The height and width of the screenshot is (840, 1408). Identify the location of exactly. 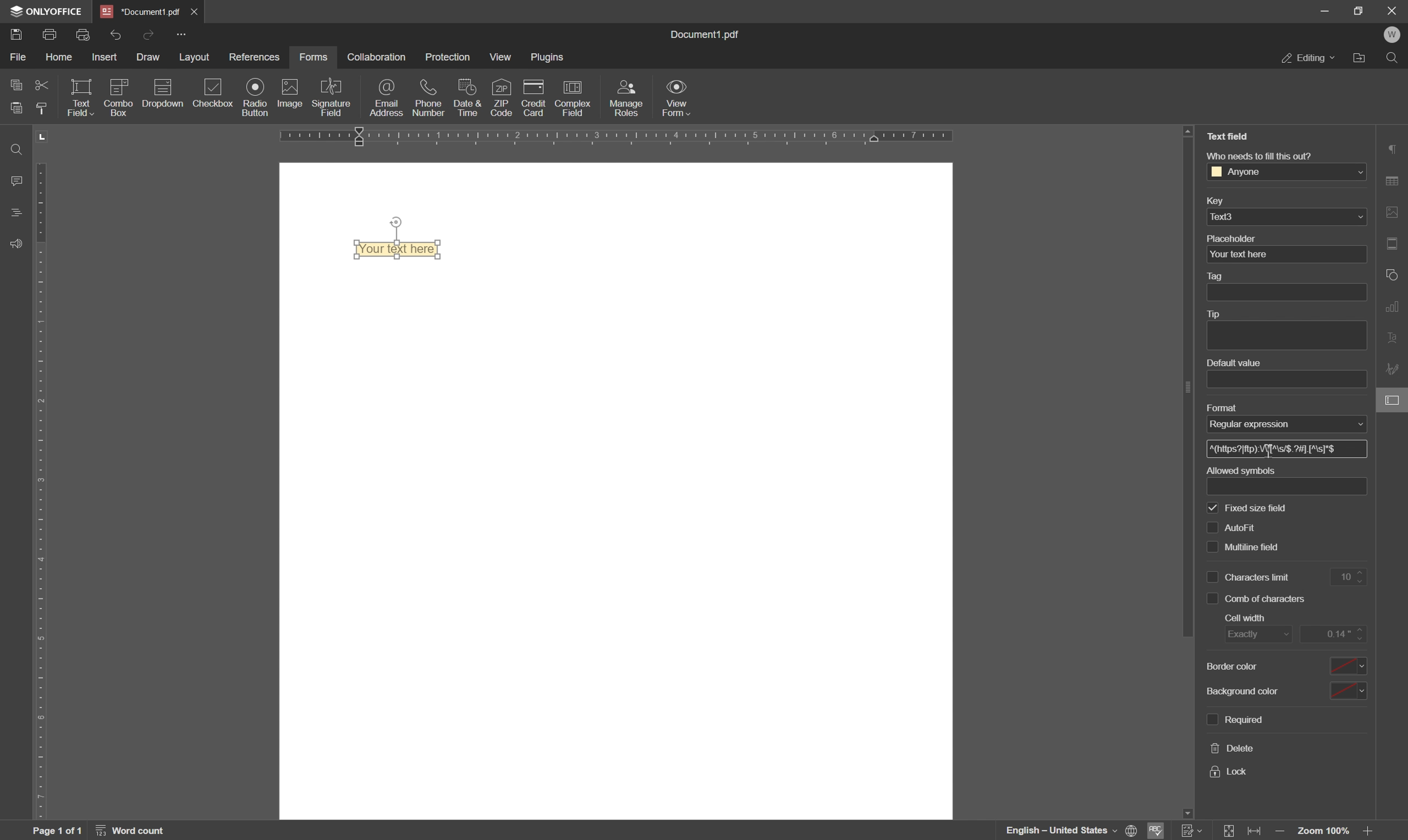
(1256, 636).